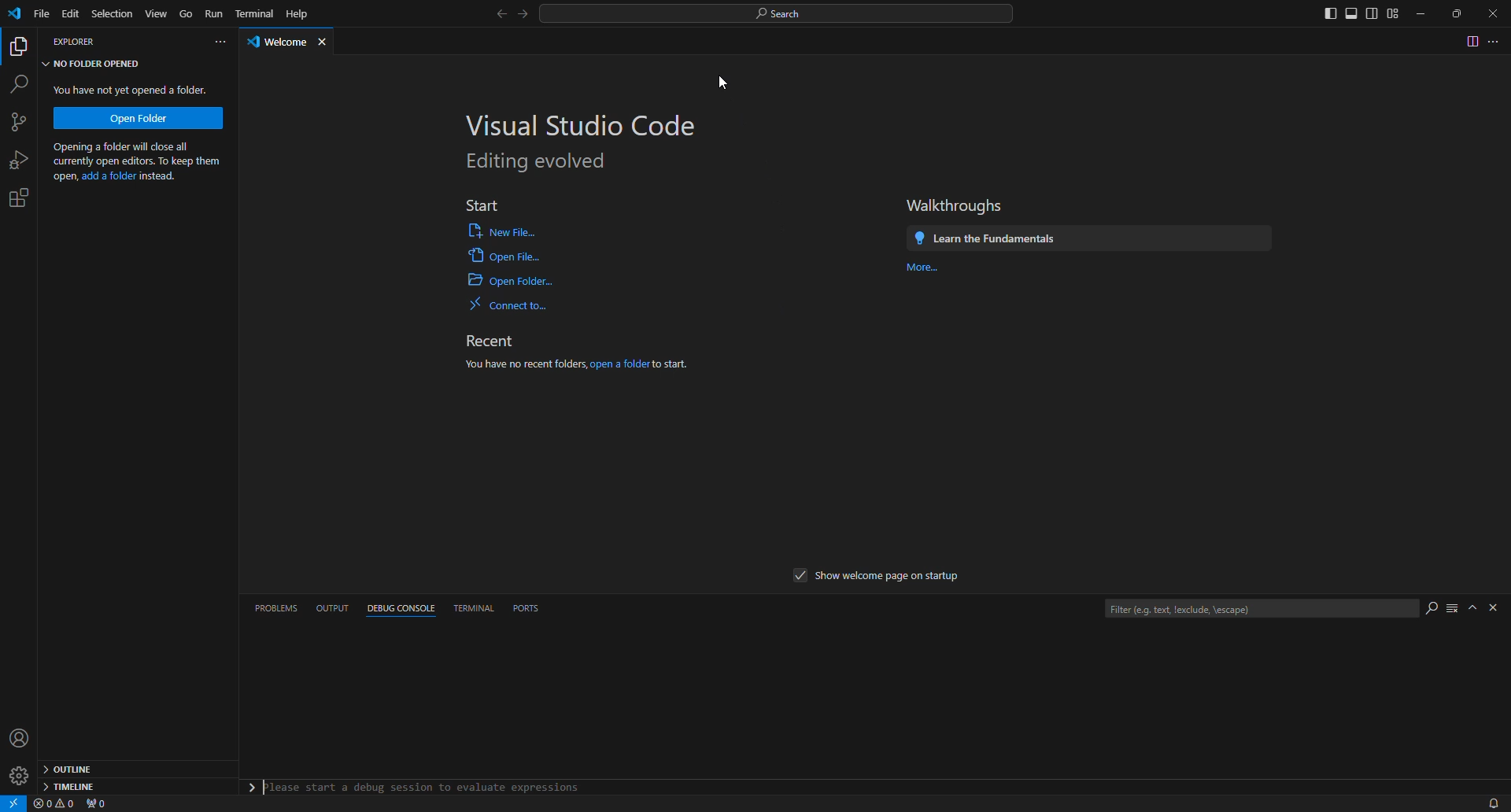 The image size is (1511, 812). I want to click on Help, so click(301, 14).